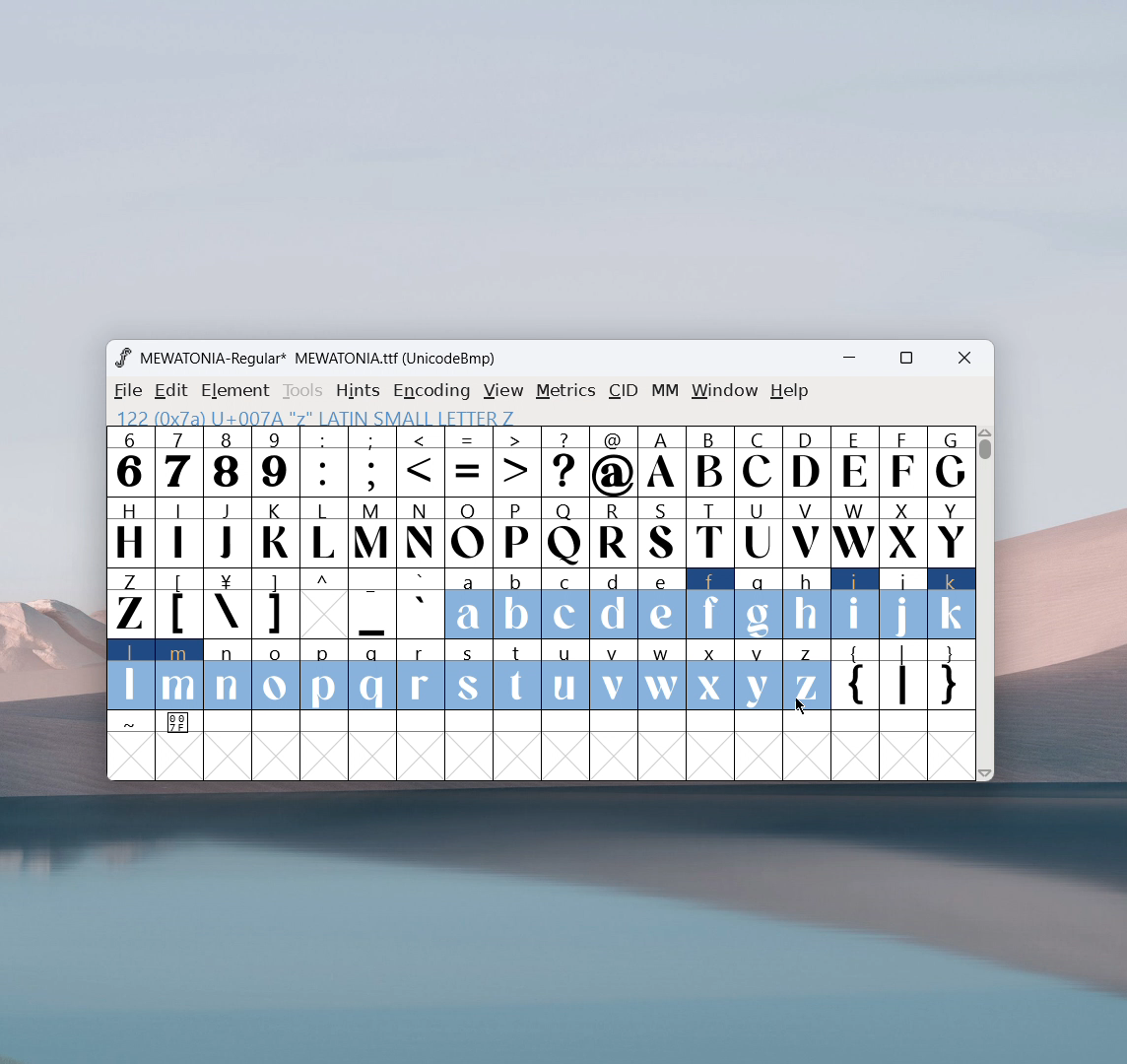  What do you see at coordinates (953, 677) in the screenshot?
I see `}` at bounding box center [953, 677].